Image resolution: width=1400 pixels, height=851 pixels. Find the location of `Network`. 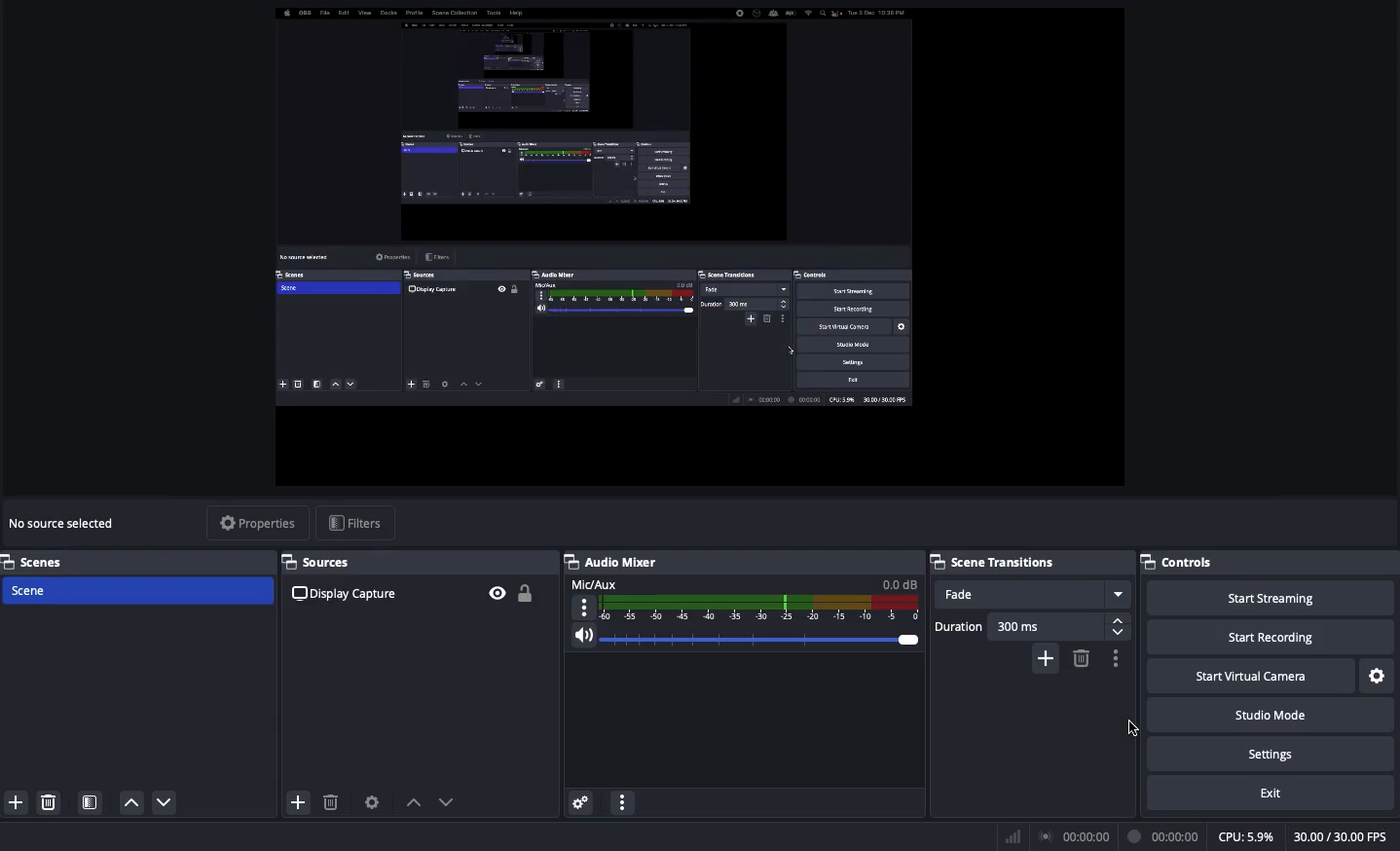

Network is located at coordinates (1007, 835).